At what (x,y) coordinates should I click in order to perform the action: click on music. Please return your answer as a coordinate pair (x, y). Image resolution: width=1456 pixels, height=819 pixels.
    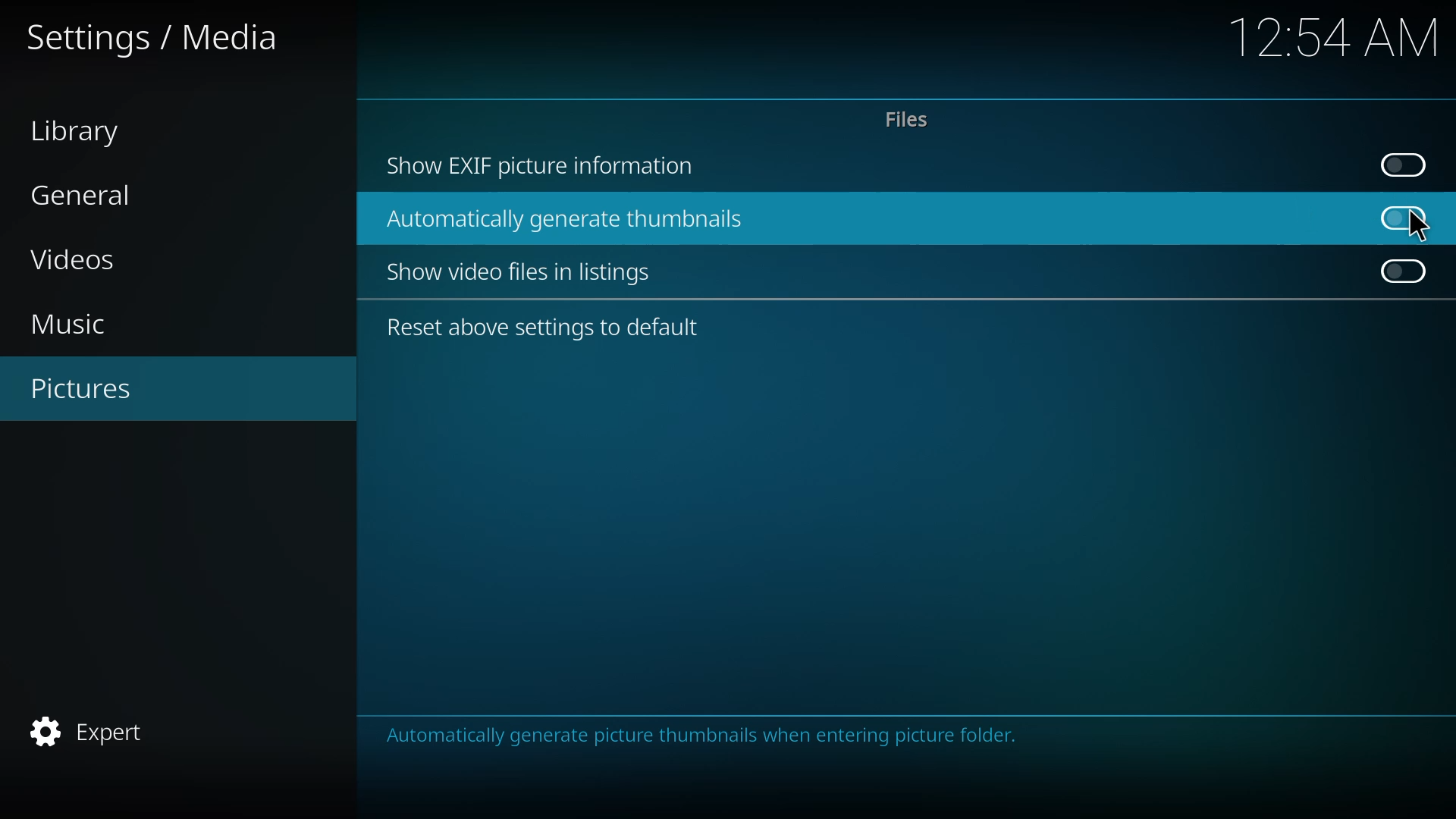
    Looking at the image, I should click on (83, 322).